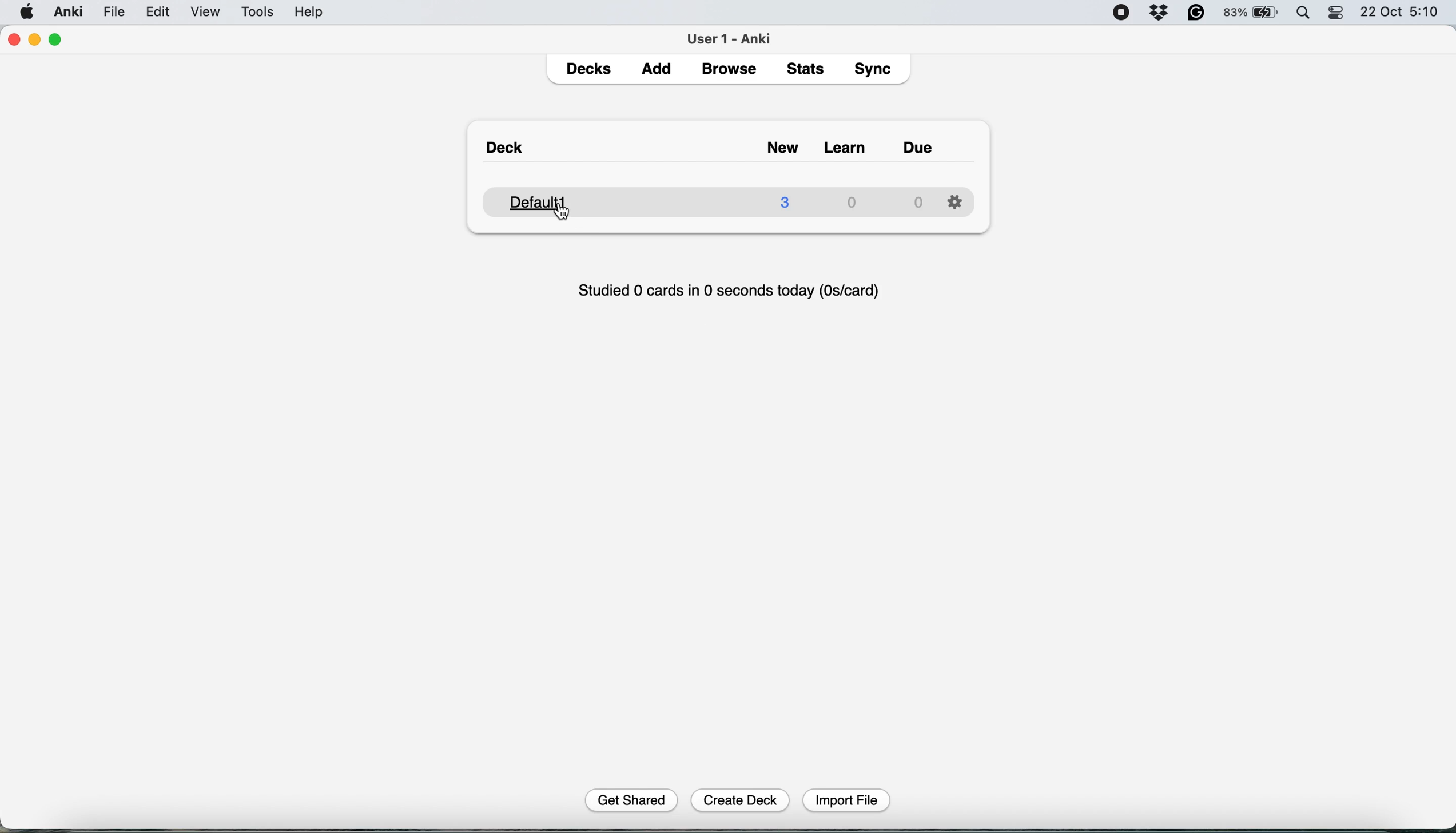 This screenshot has height=833, width=1456. I want to click on stats, so click(809, 68).